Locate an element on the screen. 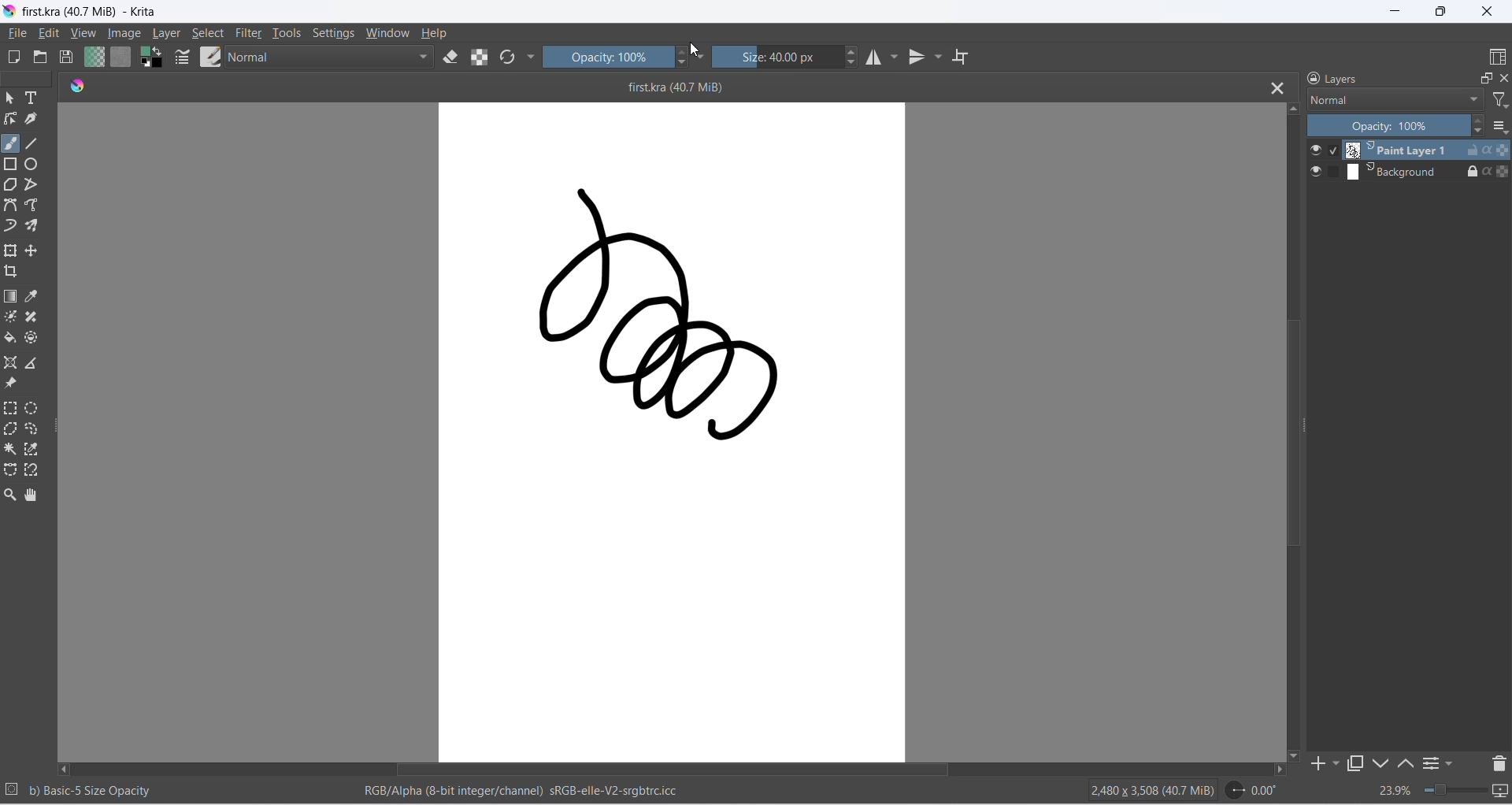  move layer or mask down is located at coordinates (1381, 763).